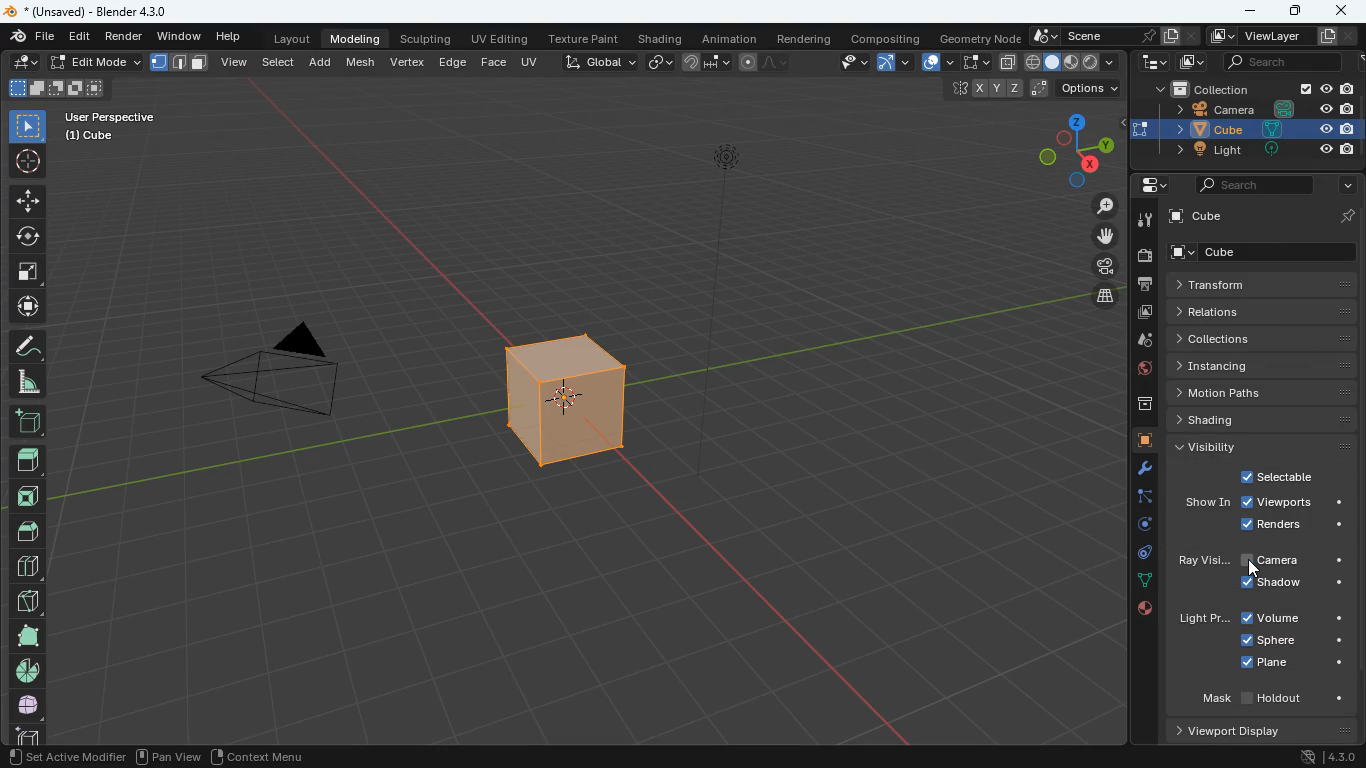 Image resolution: width=1366 pixels, height=768 pixels. I want to click on sphere, so click(1289, 639).